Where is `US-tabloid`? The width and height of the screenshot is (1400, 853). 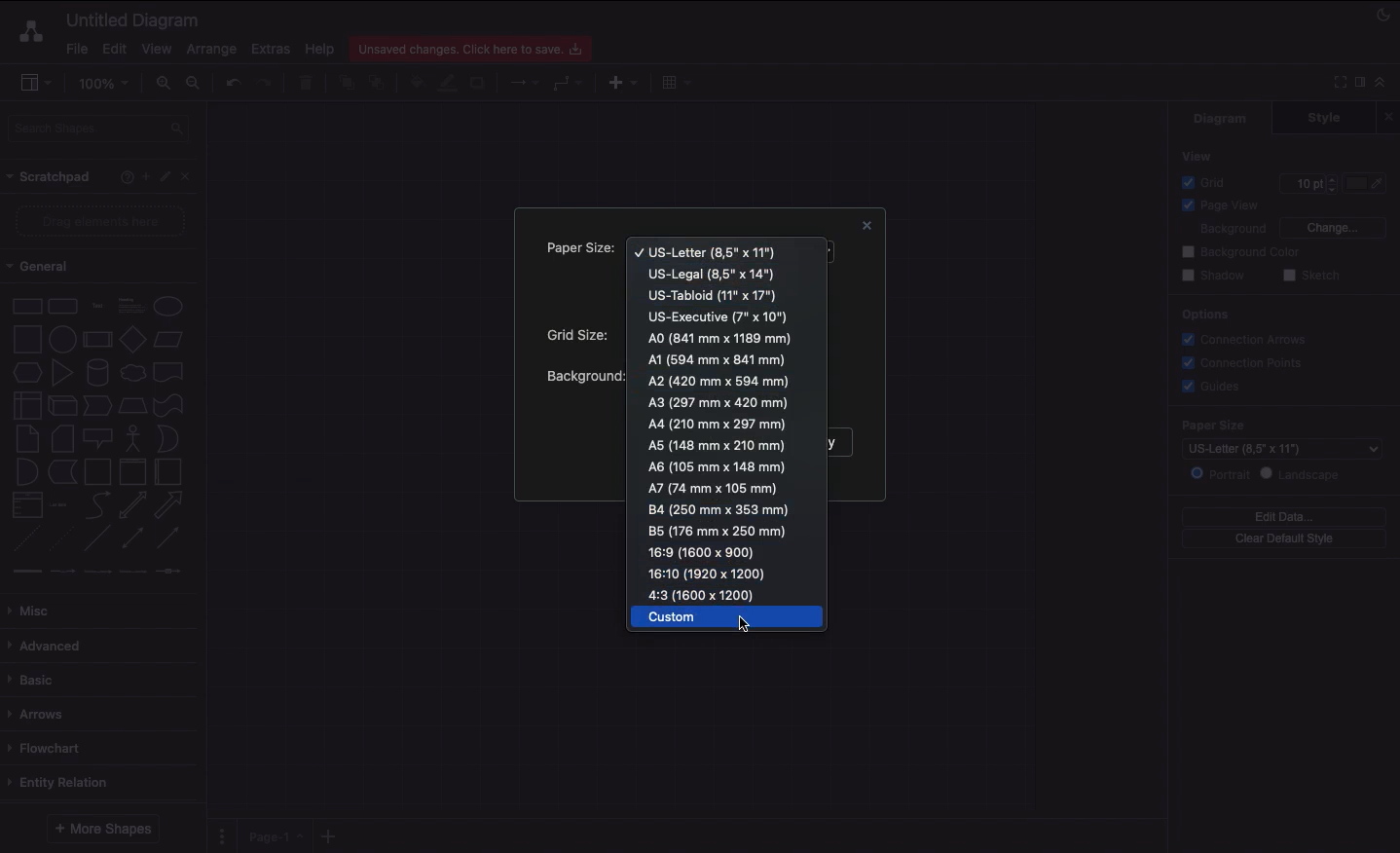 US-tabloid is located at coordinates (714, 295).